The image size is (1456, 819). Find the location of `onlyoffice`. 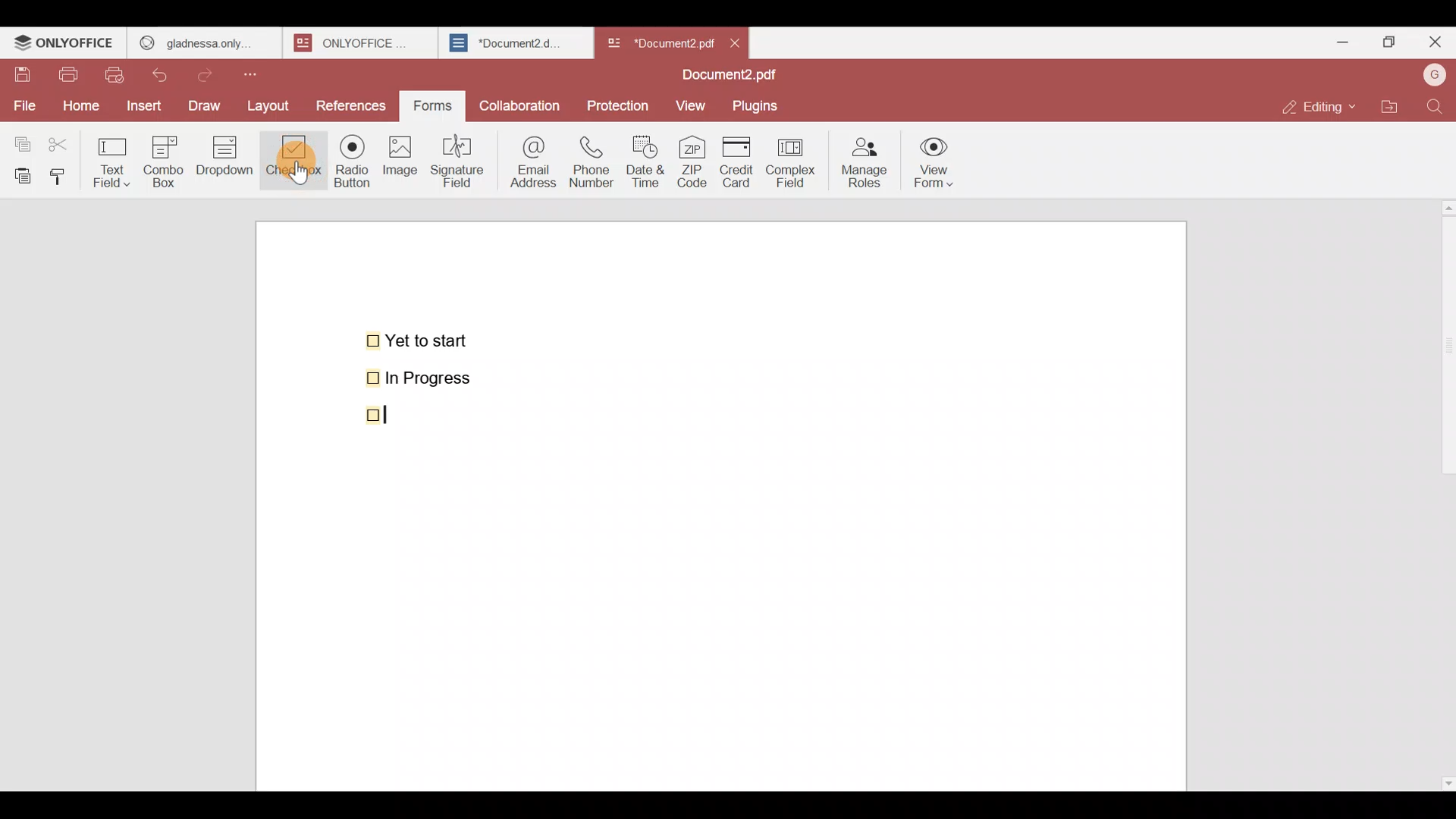

onlyoffice is located at coordinates (355, 42).